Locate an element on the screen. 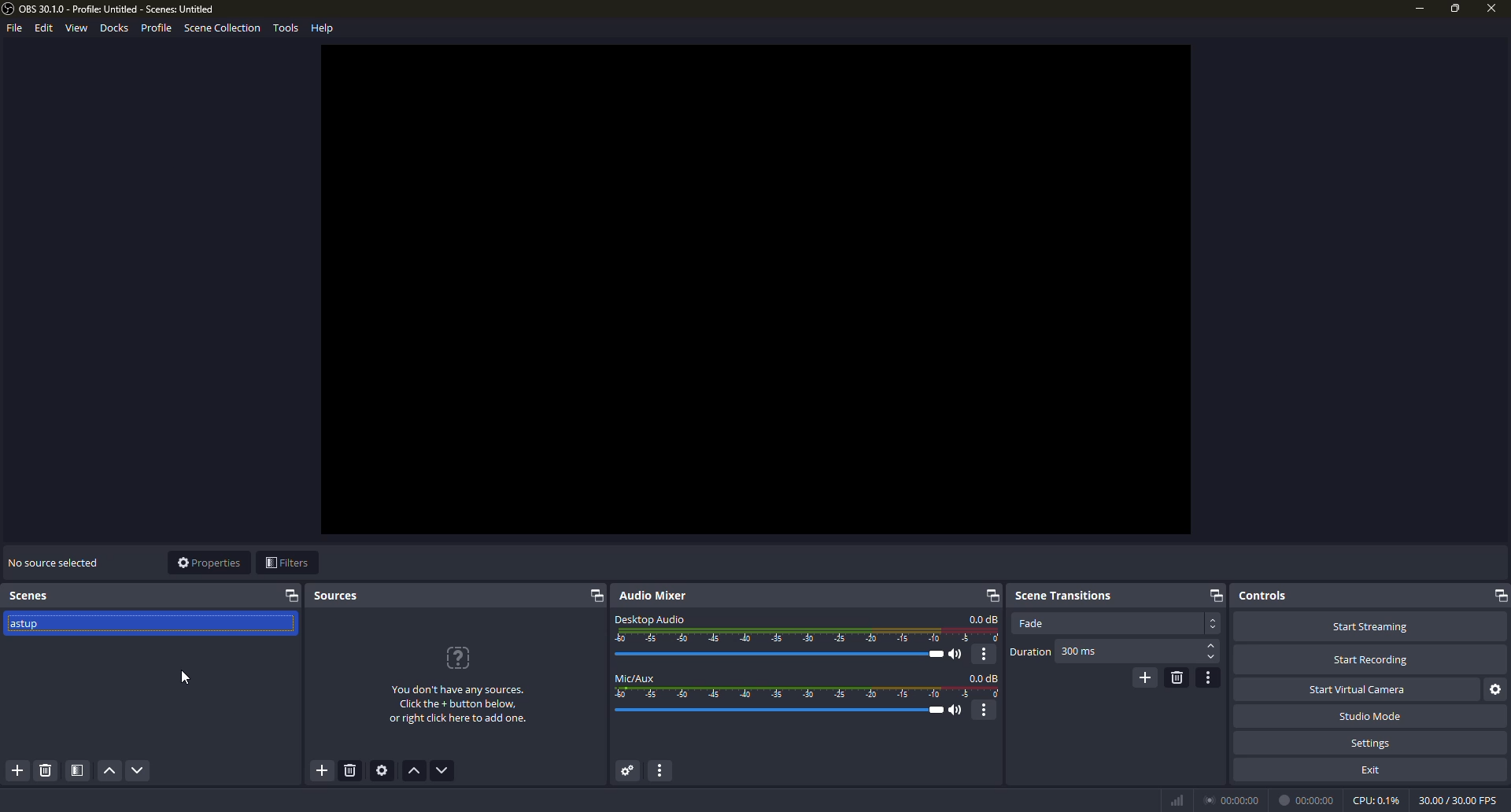  mic/aux is located at coordinates (636, 677).